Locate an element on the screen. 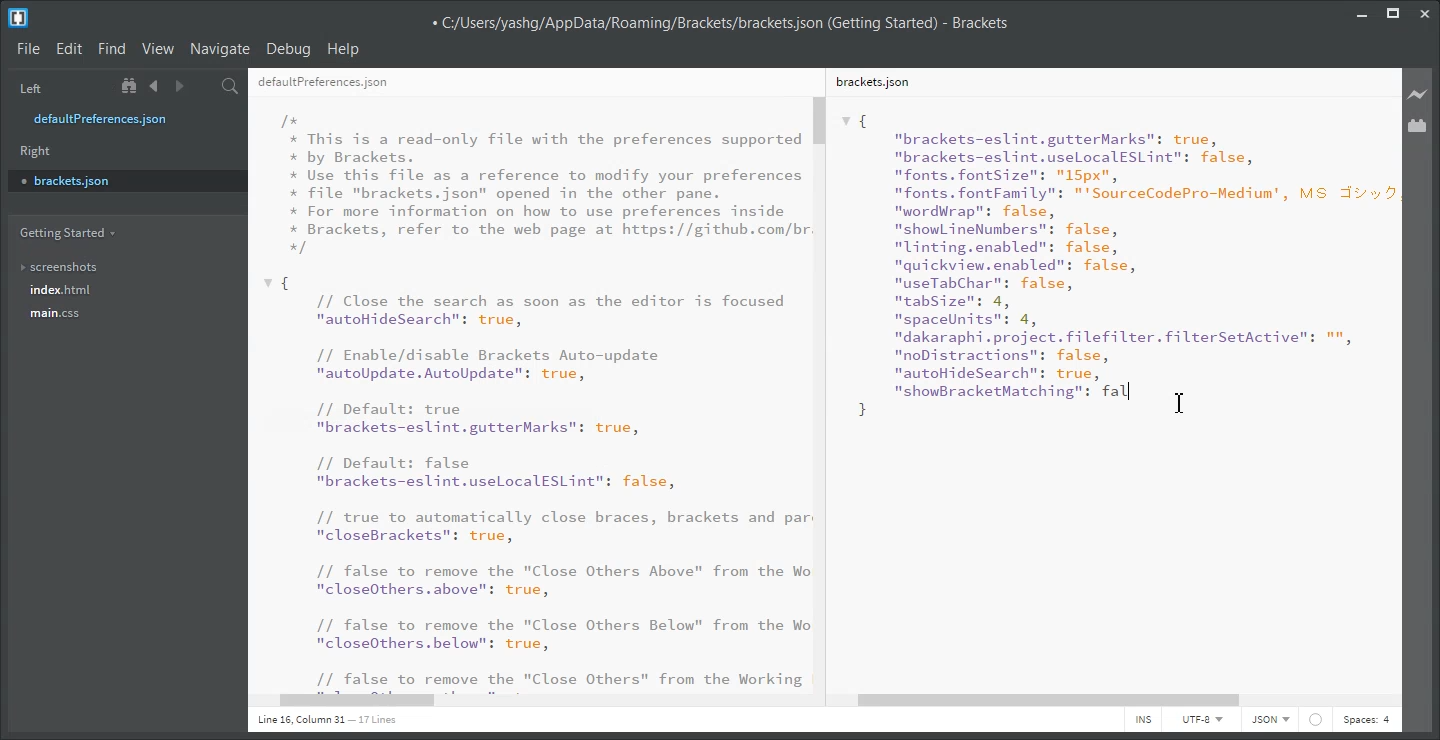 The image size is (1440, 740). index.html is located at coordinates (61, 290).